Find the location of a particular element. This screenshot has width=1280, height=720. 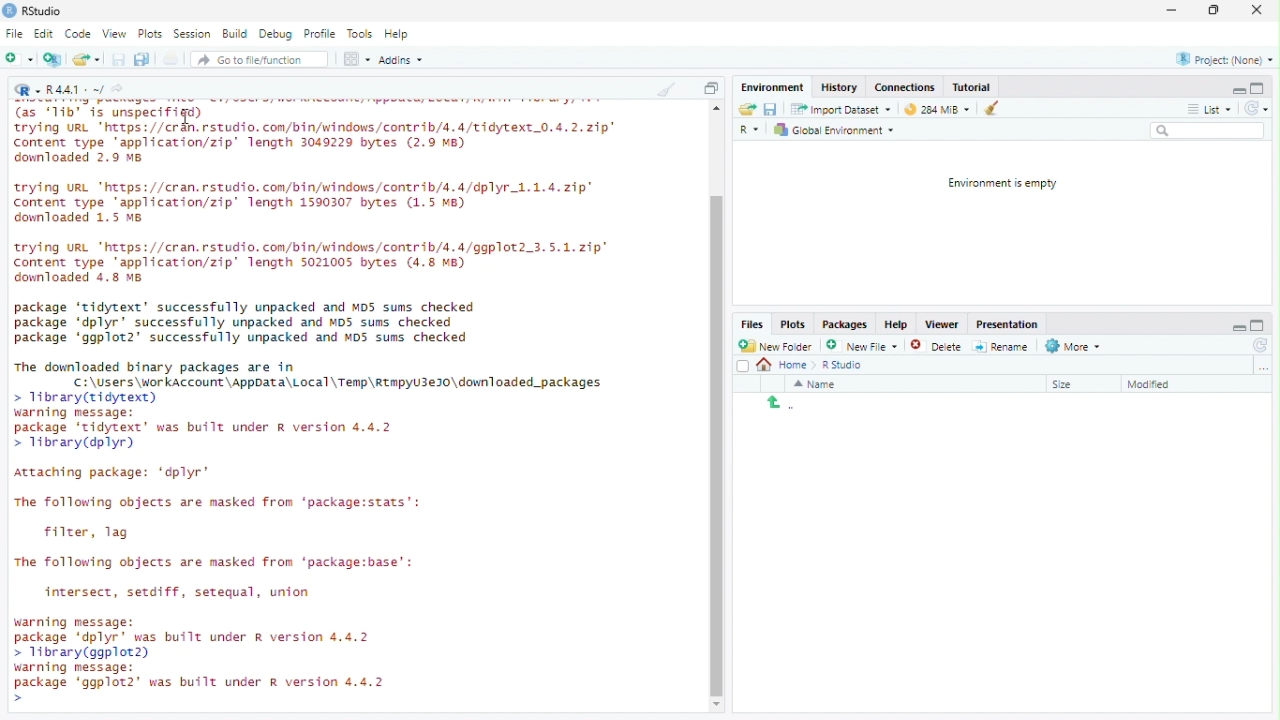

More is located at coordinates (1075, 347).